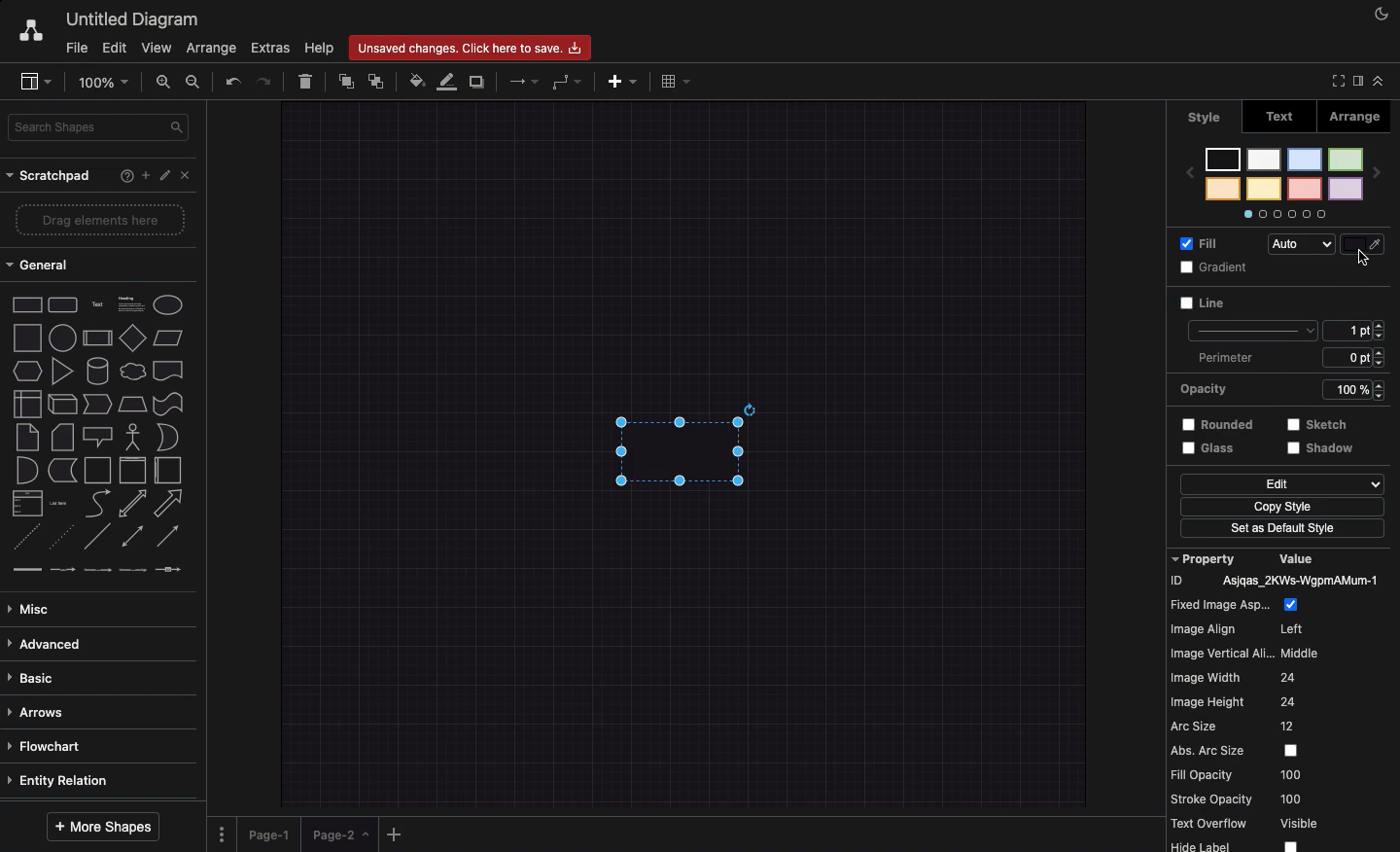  I want to click on Edit, so click(1281, 484).